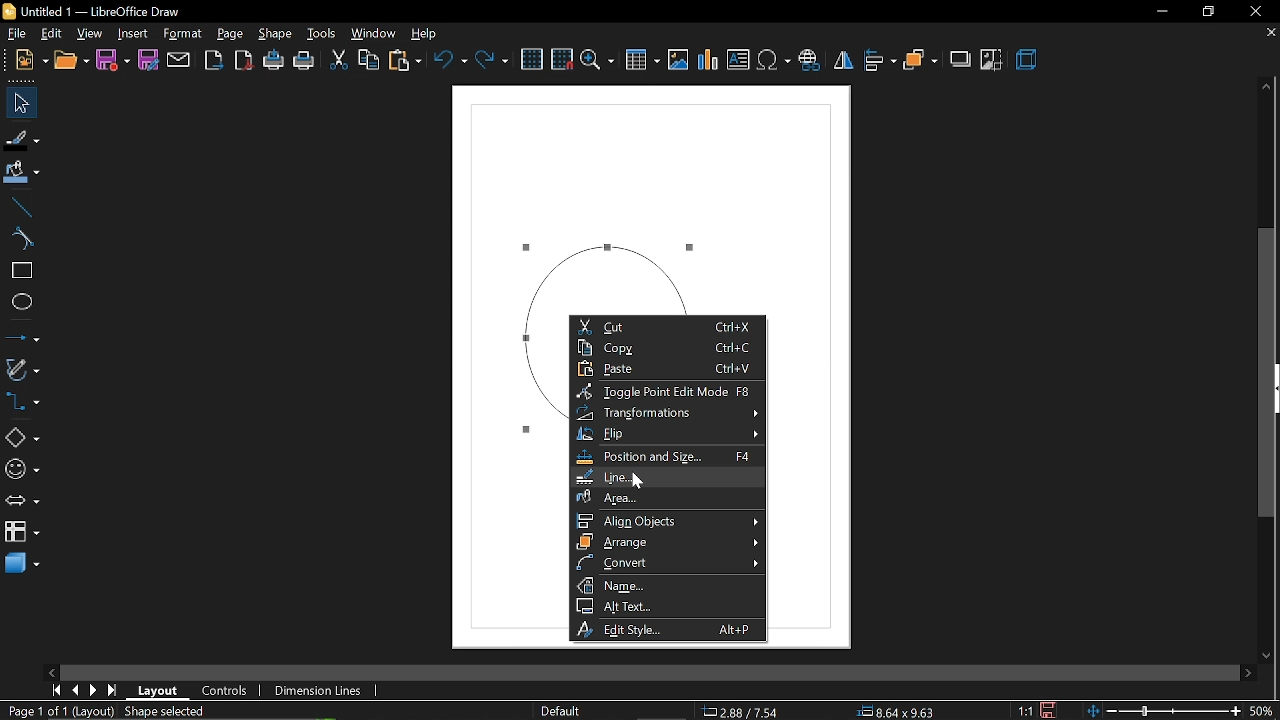 The image size is (1280, 720). I want to click on area, so click(665, 496).